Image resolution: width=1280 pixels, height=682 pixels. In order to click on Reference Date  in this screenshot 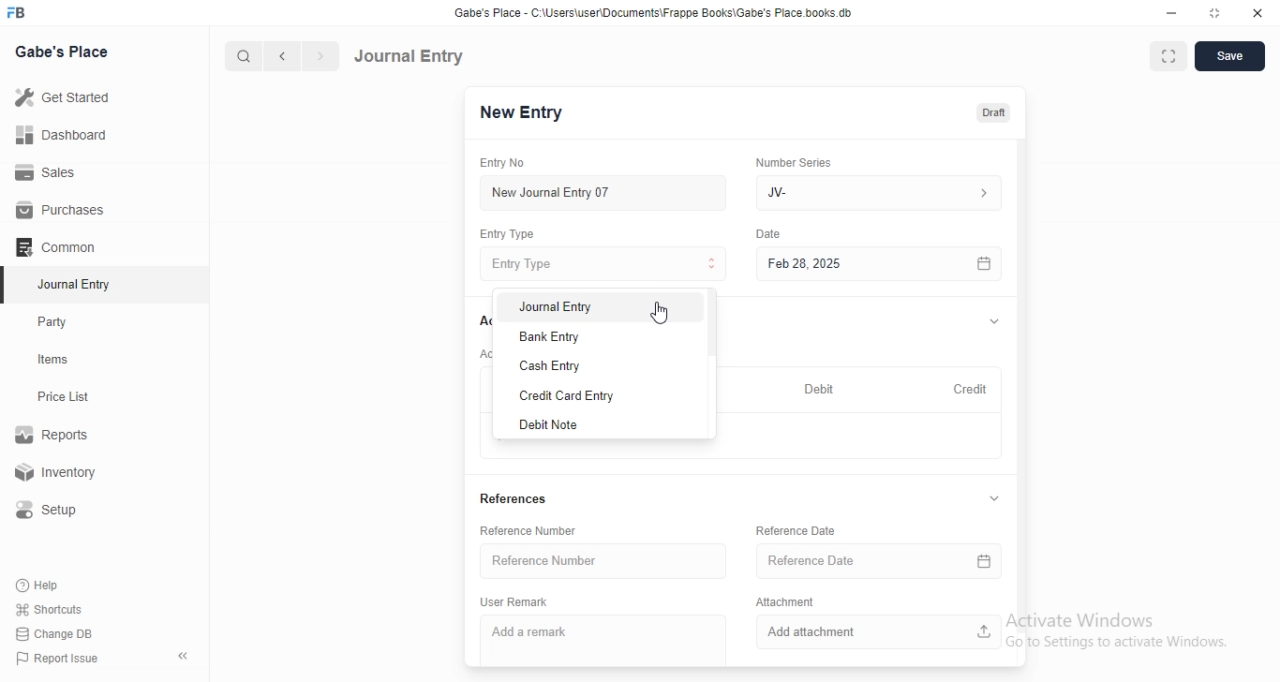, I will do `click(874, 561)`.